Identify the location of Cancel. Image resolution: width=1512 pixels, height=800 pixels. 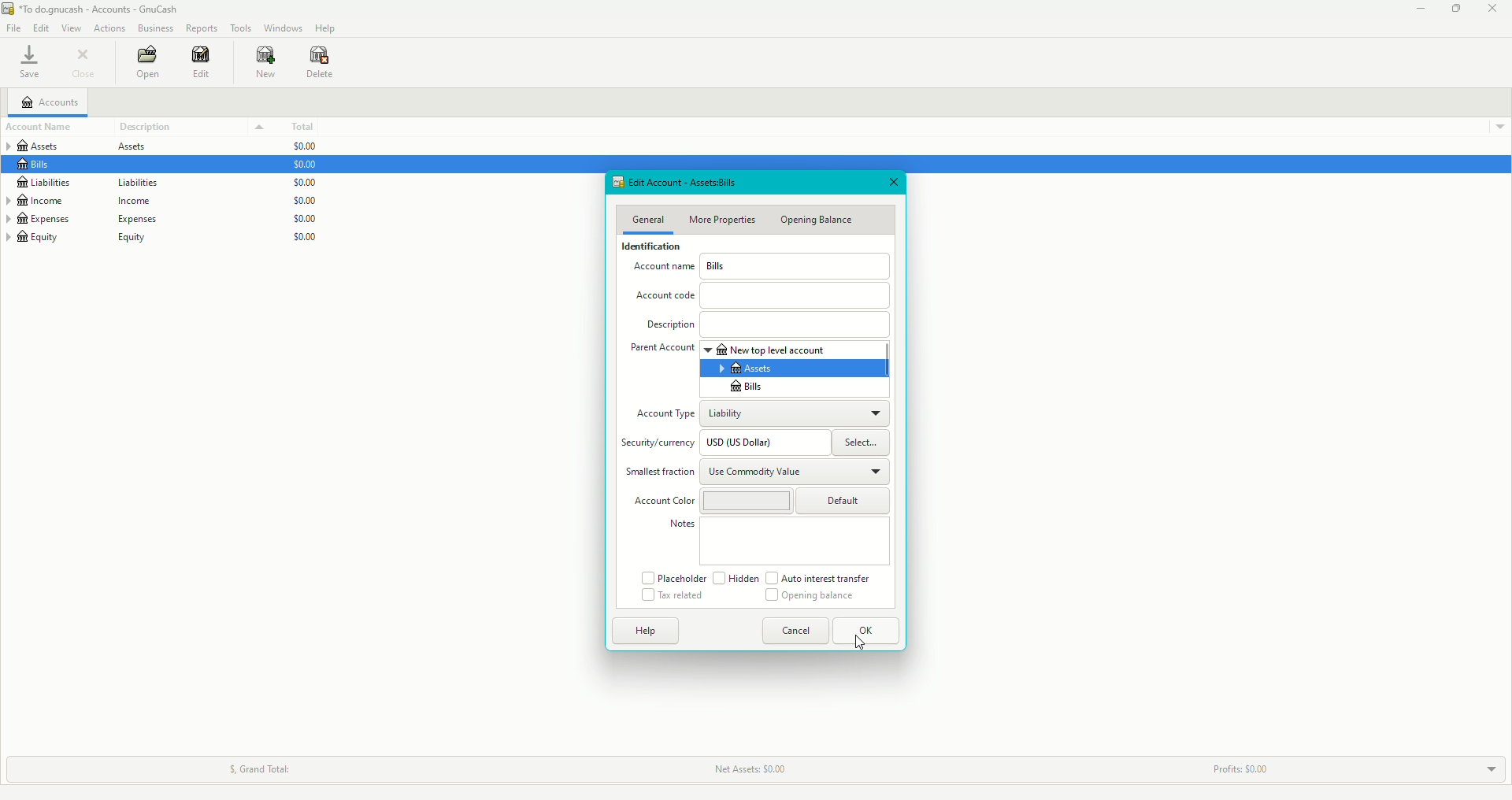
(791, 631).